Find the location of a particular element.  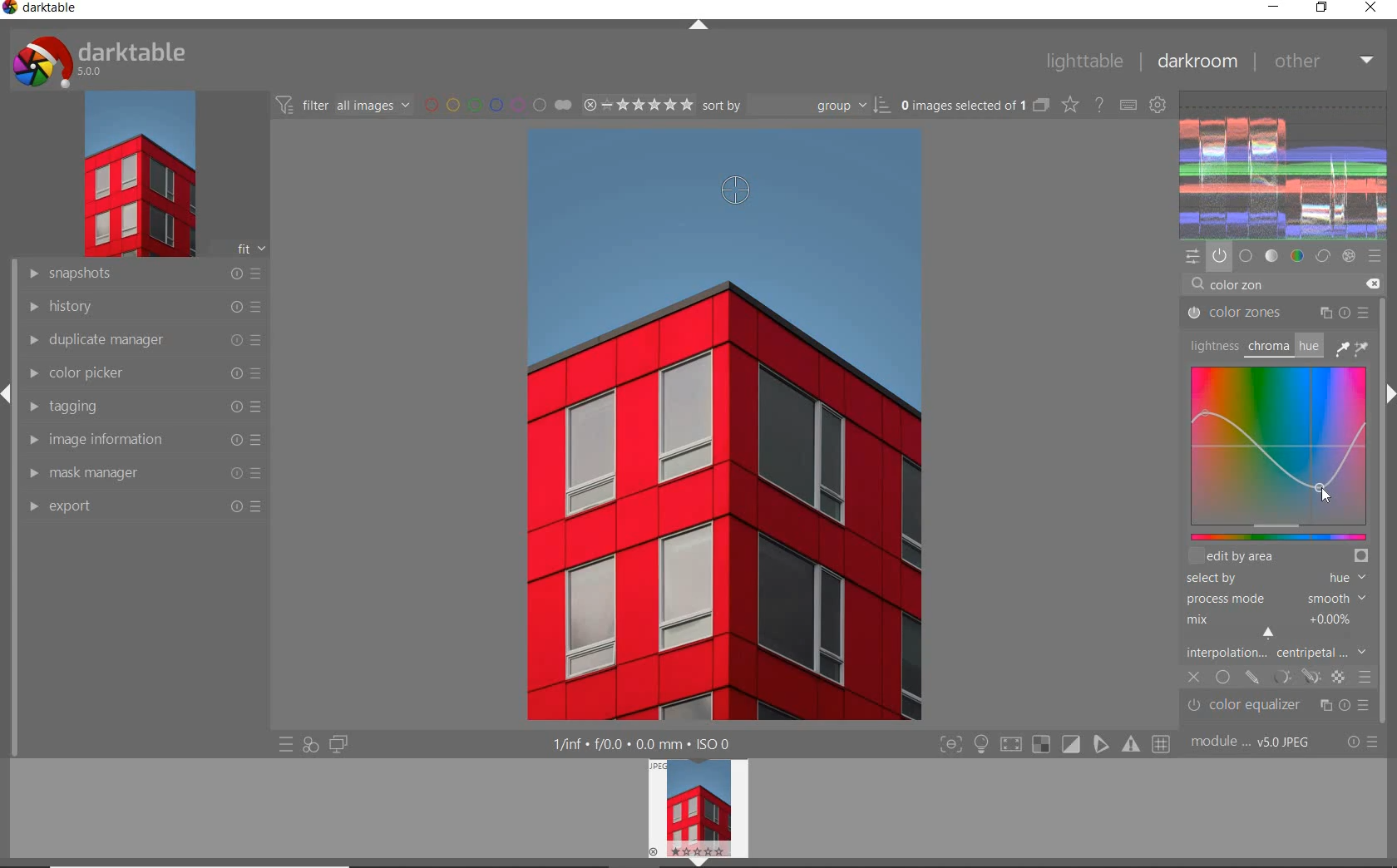

grid overlay is located at coordinates (1162, 742).